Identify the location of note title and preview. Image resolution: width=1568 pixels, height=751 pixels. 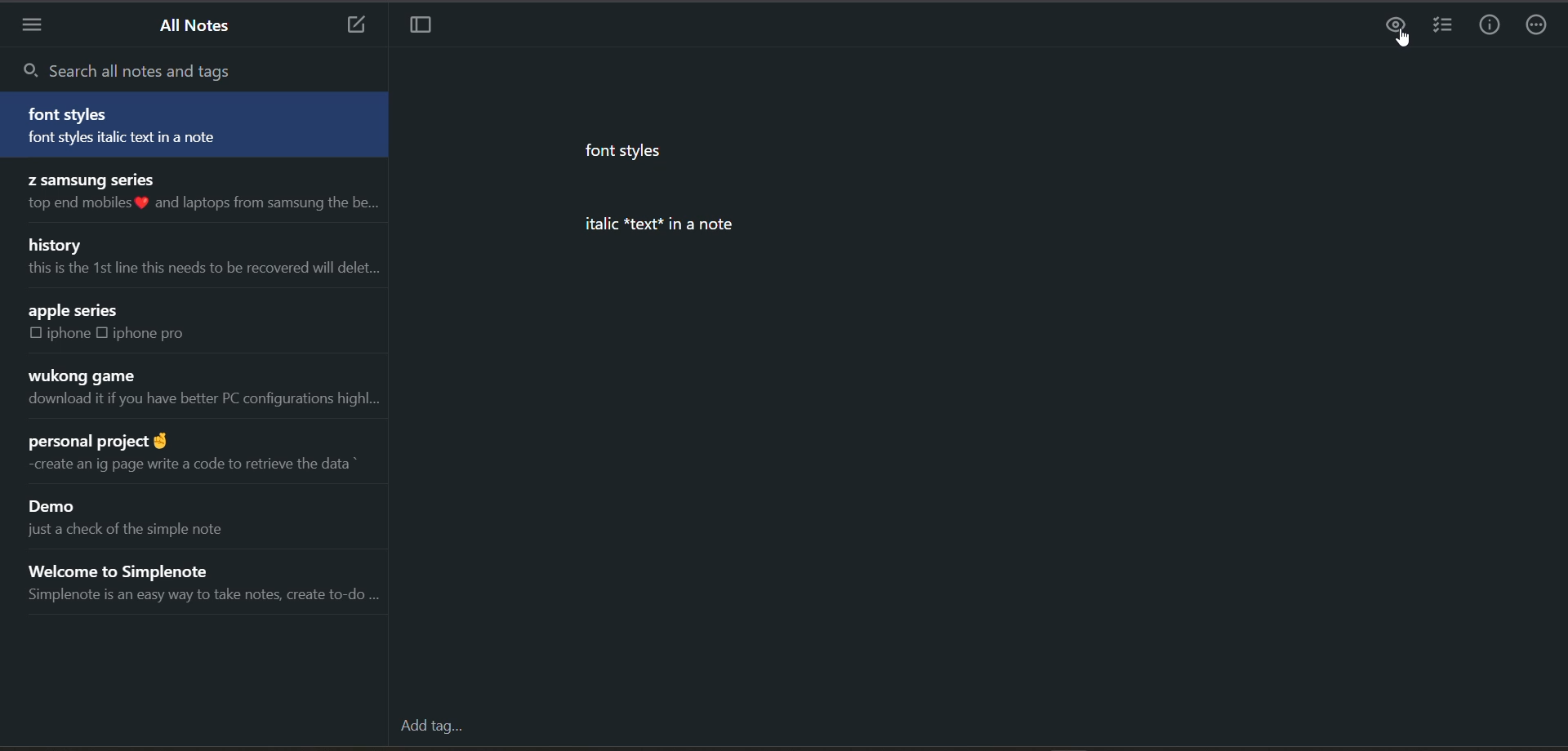
(136, 327).